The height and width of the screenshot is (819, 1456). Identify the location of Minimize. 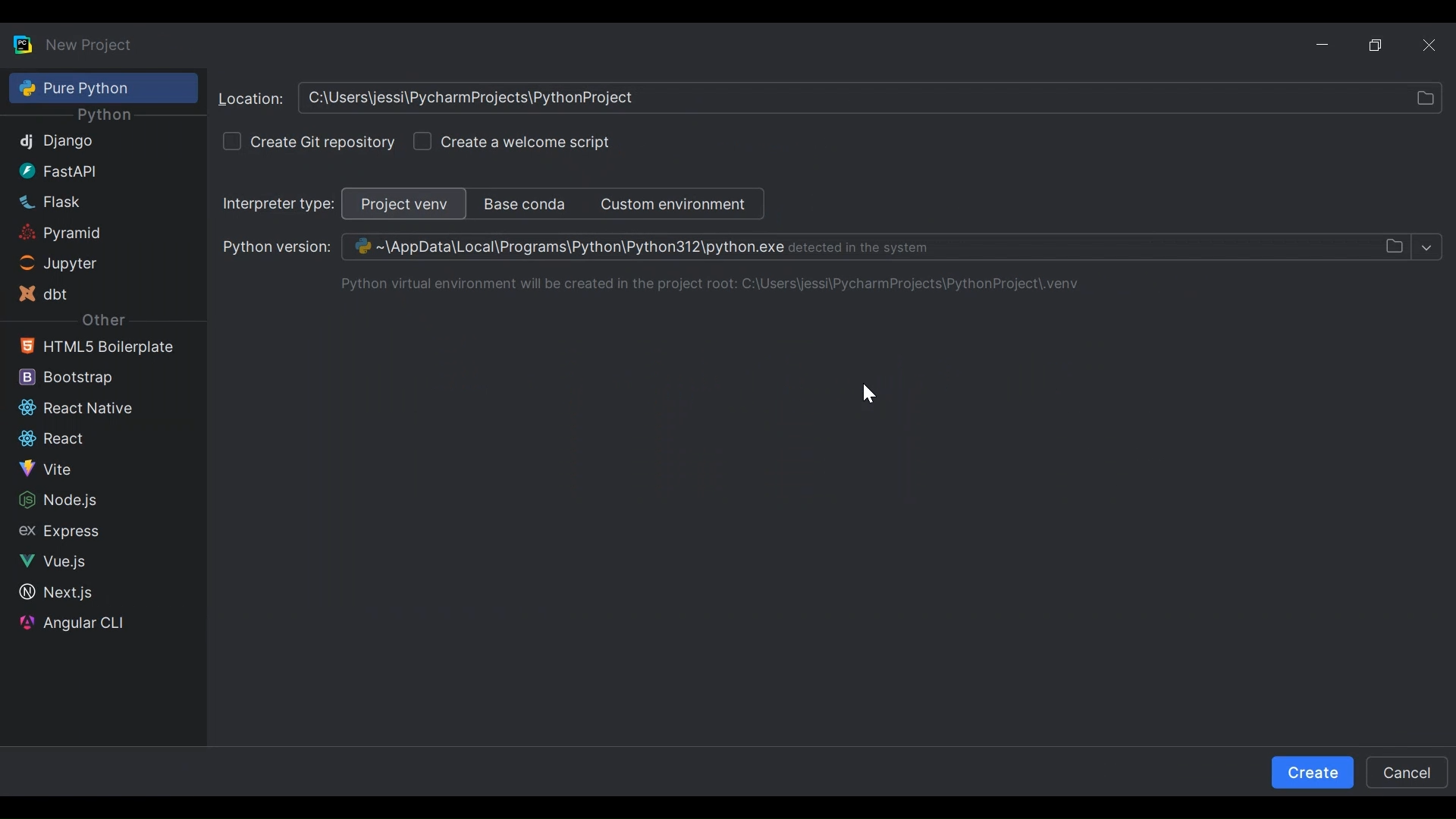
(1327, 42).